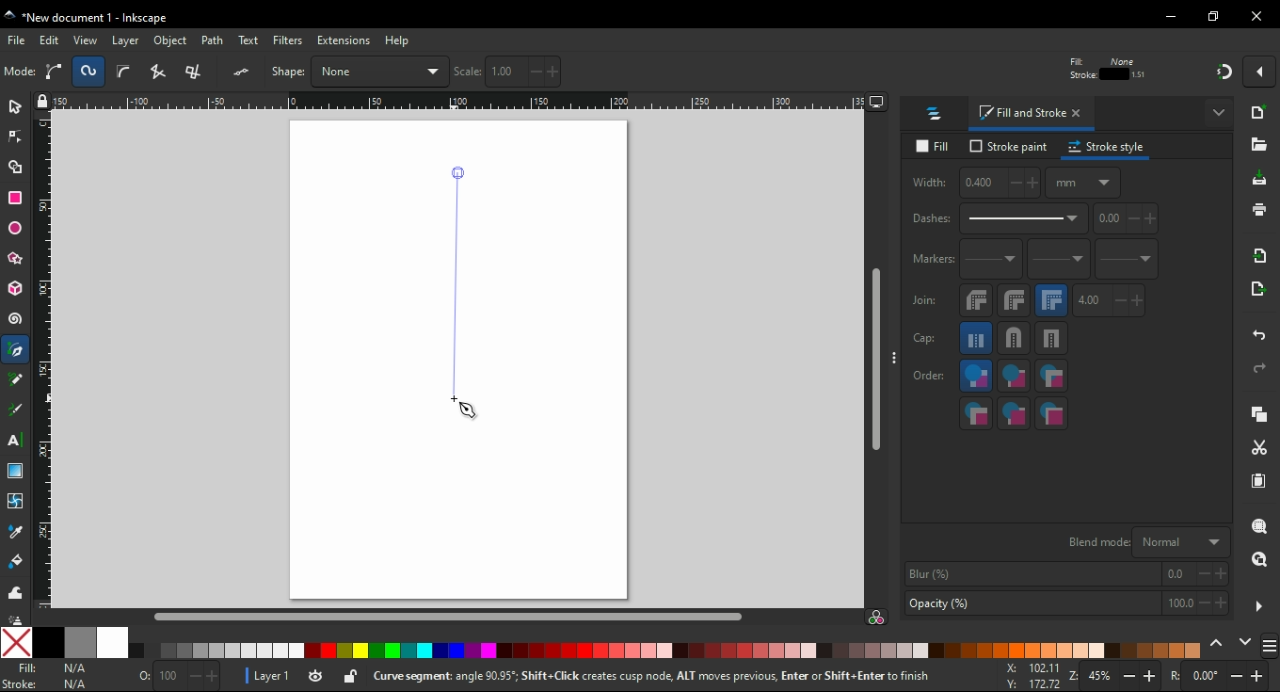  Describe the element at coordinates (1258, 368) in the screenshot. I see `redo` at that location.